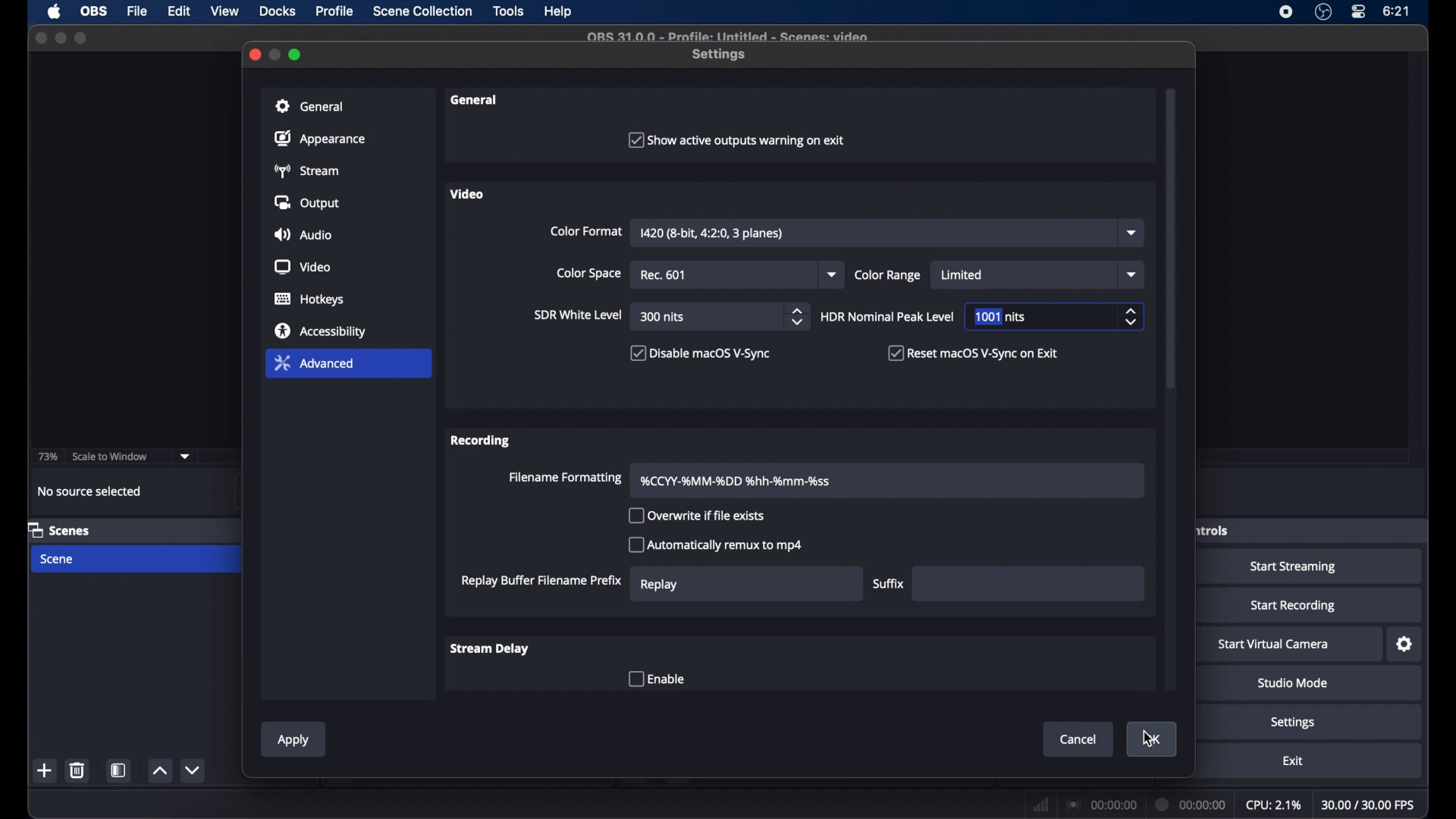 This screenshot has width=1456, height=819. Describe the element at coordinates (726, 37) in the screenshot. I see `obs 31.0 profile limited scenes video` at that location.